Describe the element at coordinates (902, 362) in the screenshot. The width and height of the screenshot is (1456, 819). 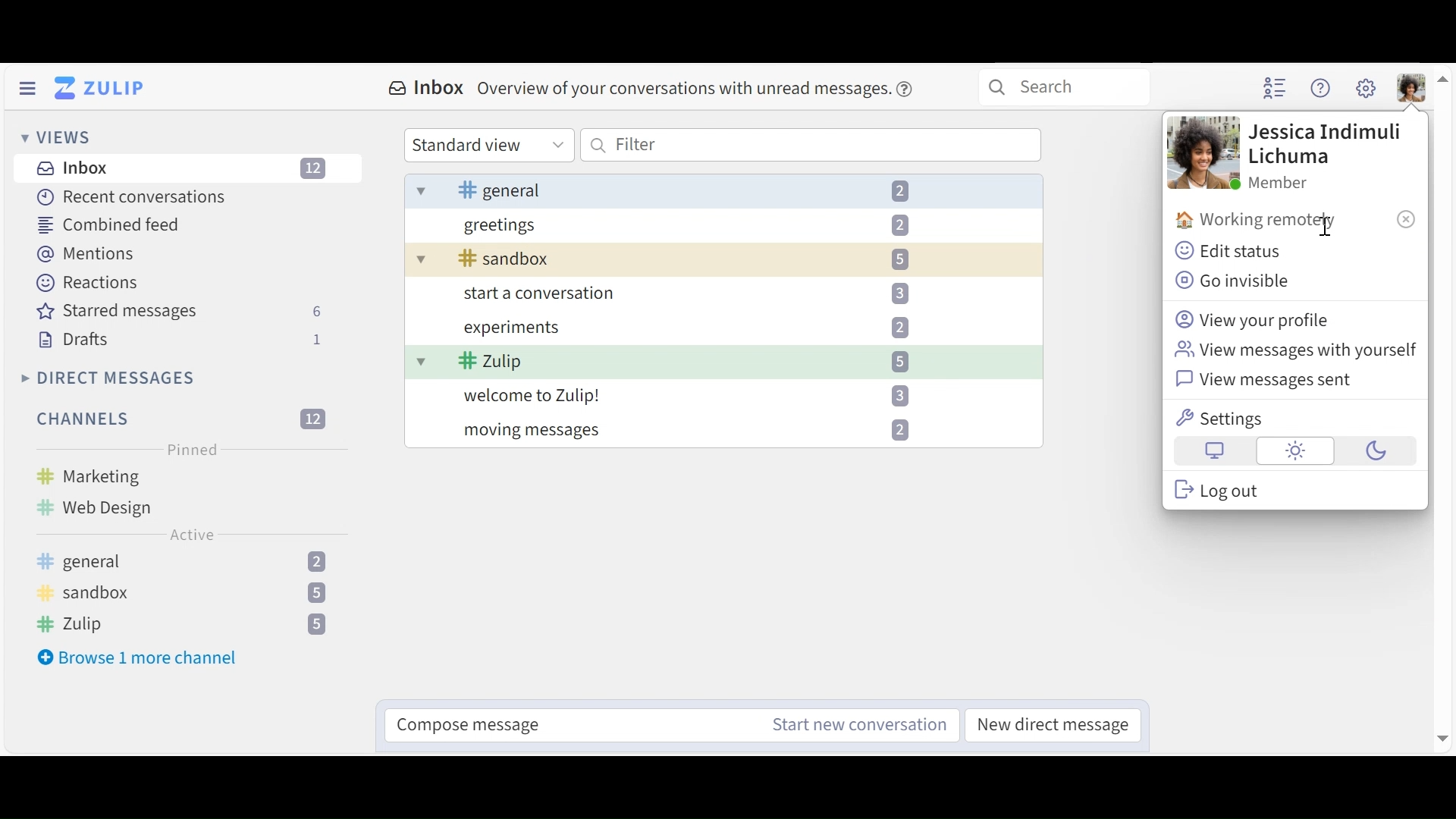
I see `5` at that location.